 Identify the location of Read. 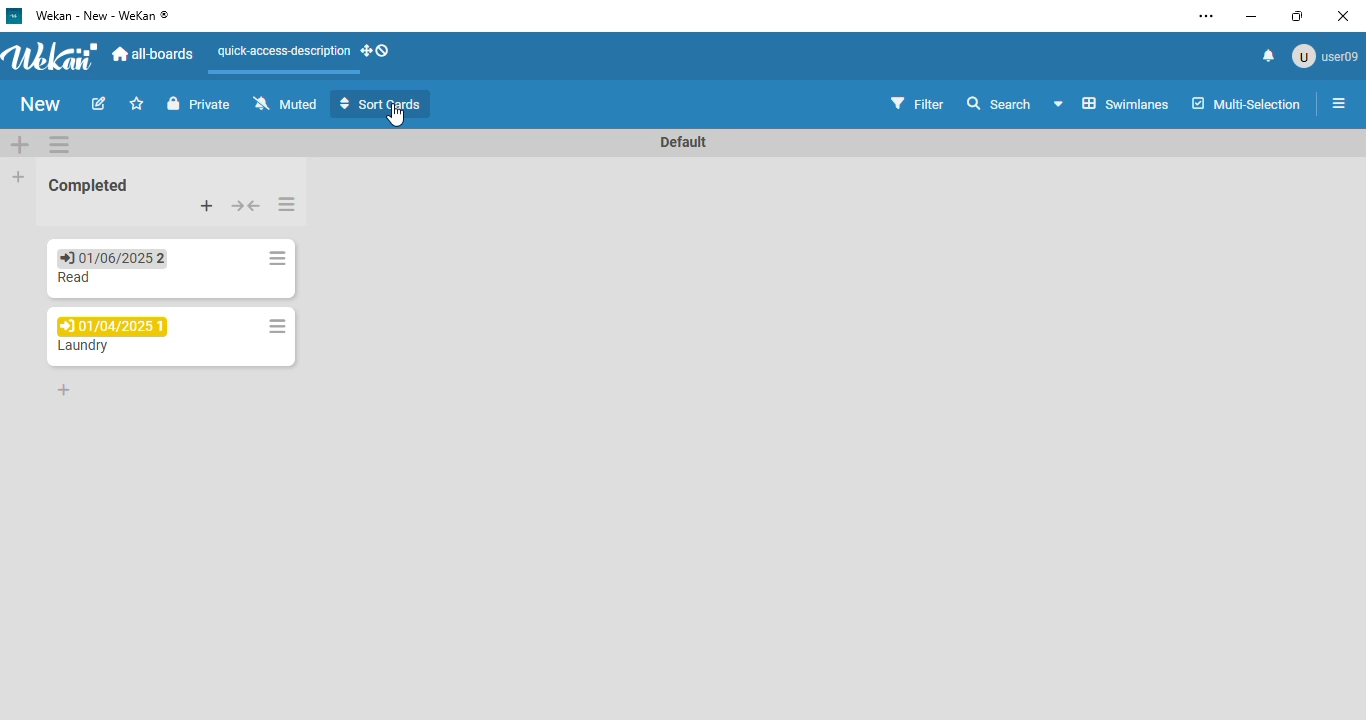
(76, 280).